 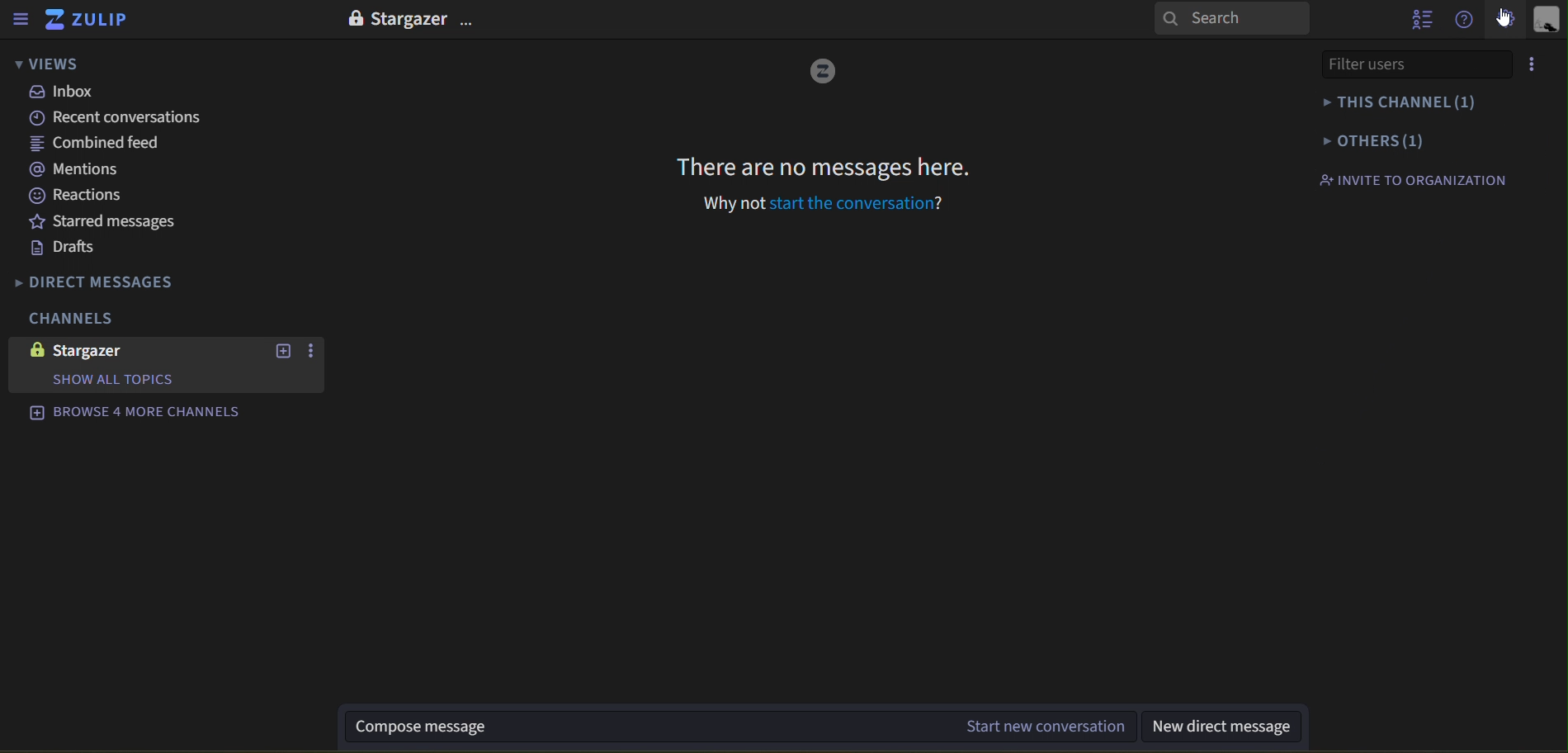 What do you see at coordinates (284, 351) in the screenshot?
I see `new options` at bounding box center [284, 351].